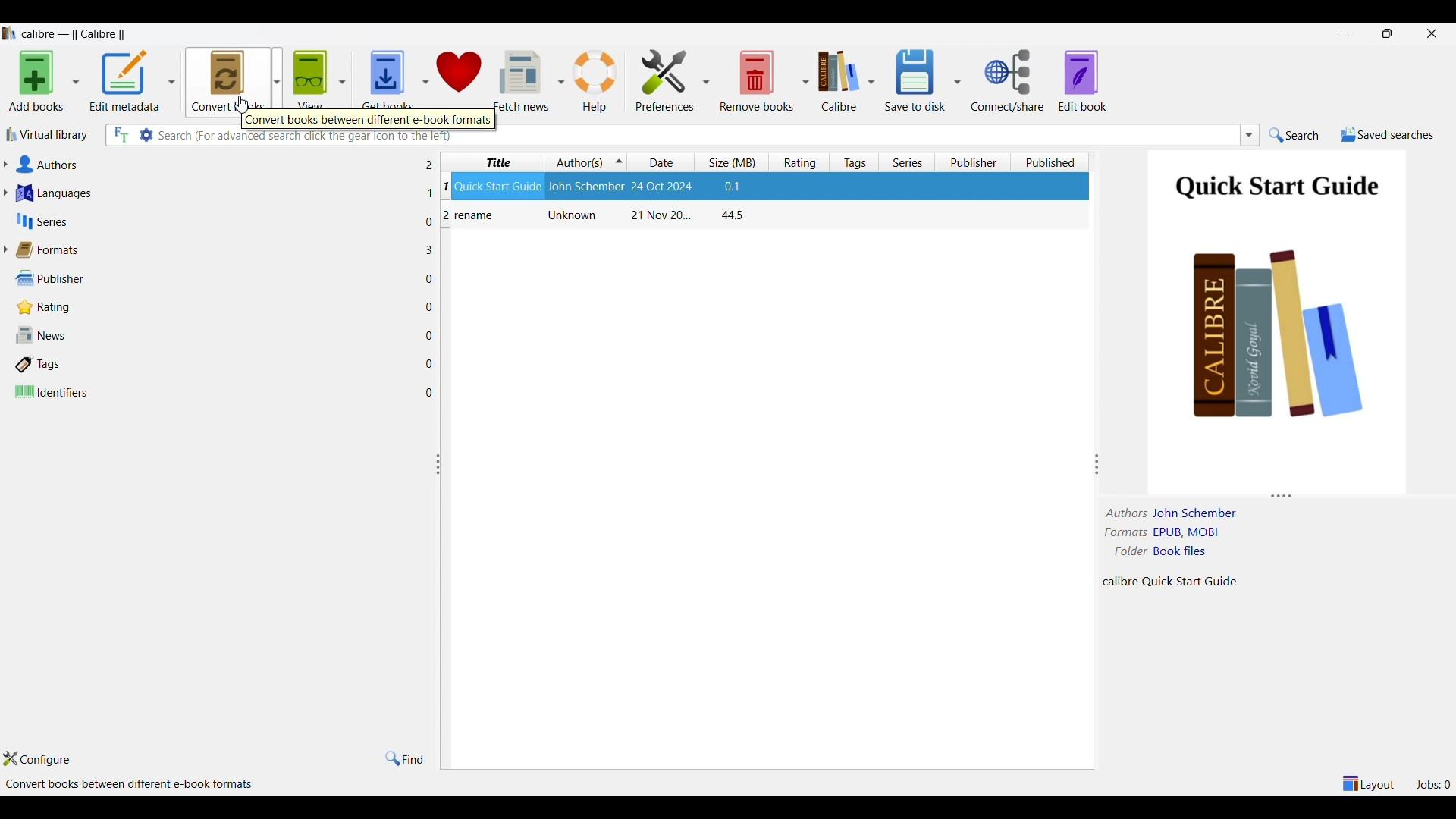 The height and width of the screenshot is (819, 1456). What do you see at coordinates (460, 80) in the screenshot?
I see `Donate` at bounding box center [460, 80].